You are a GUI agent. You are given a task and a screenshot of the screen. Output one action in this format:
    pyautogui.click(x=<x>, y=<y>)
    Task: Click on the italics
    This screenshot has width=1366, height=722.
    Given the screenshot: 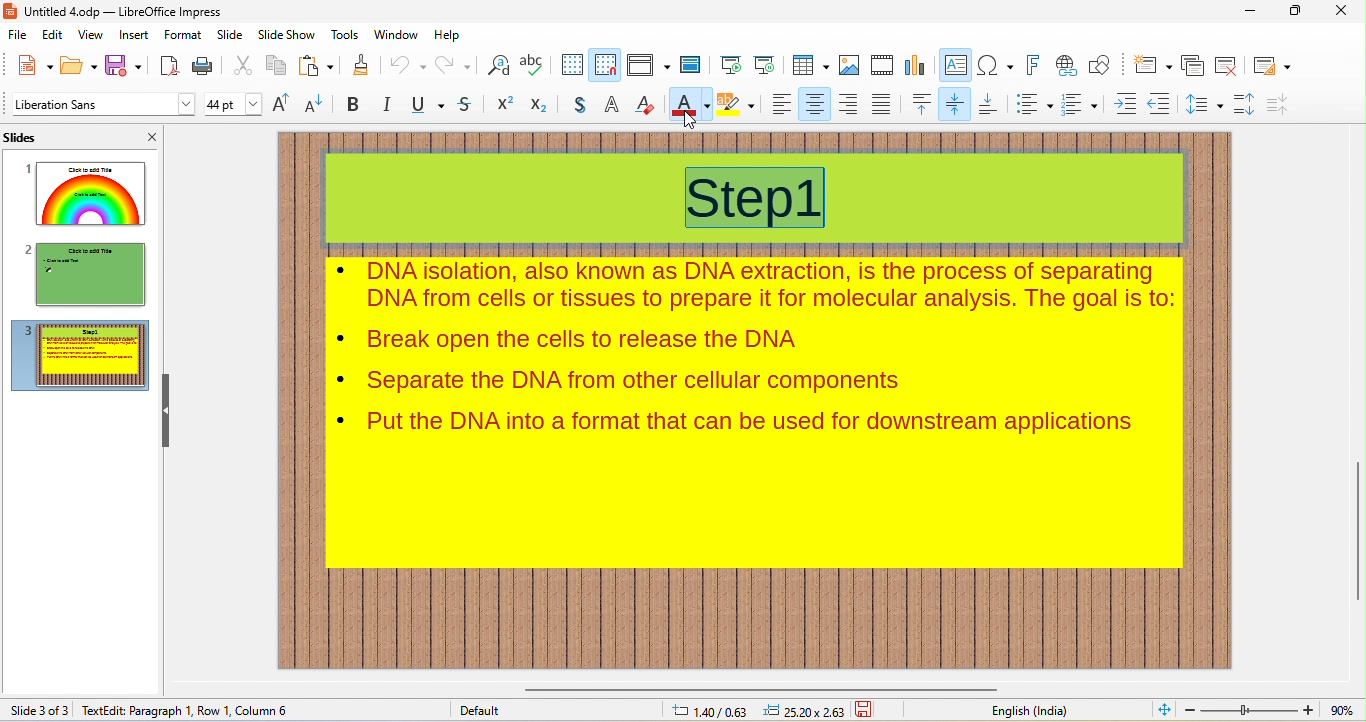 What is the action you would take?
    pyautogui.click(x=388, y=106)
    